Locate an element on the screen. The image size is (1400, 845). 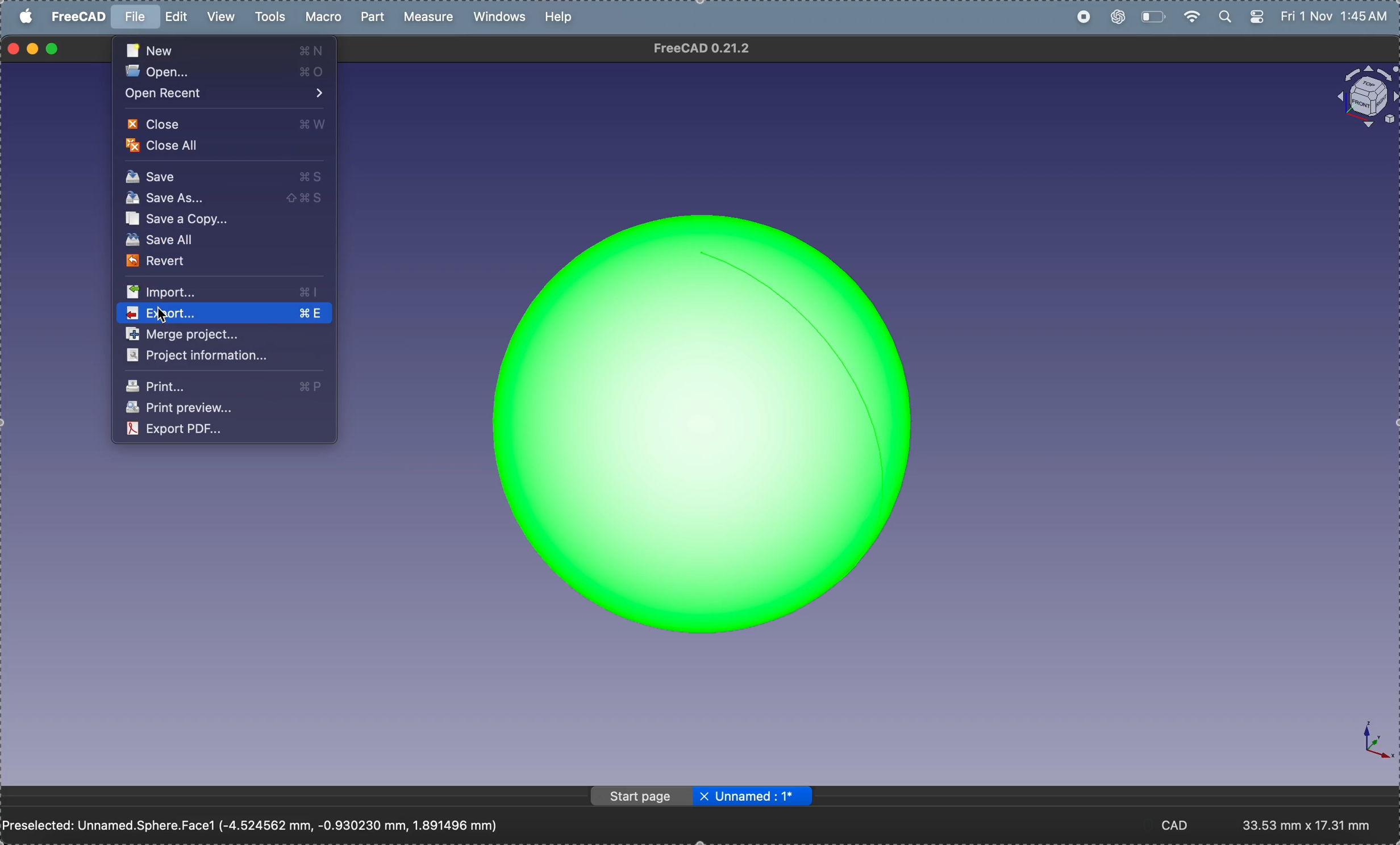
save is located at coordinates (225, 175).